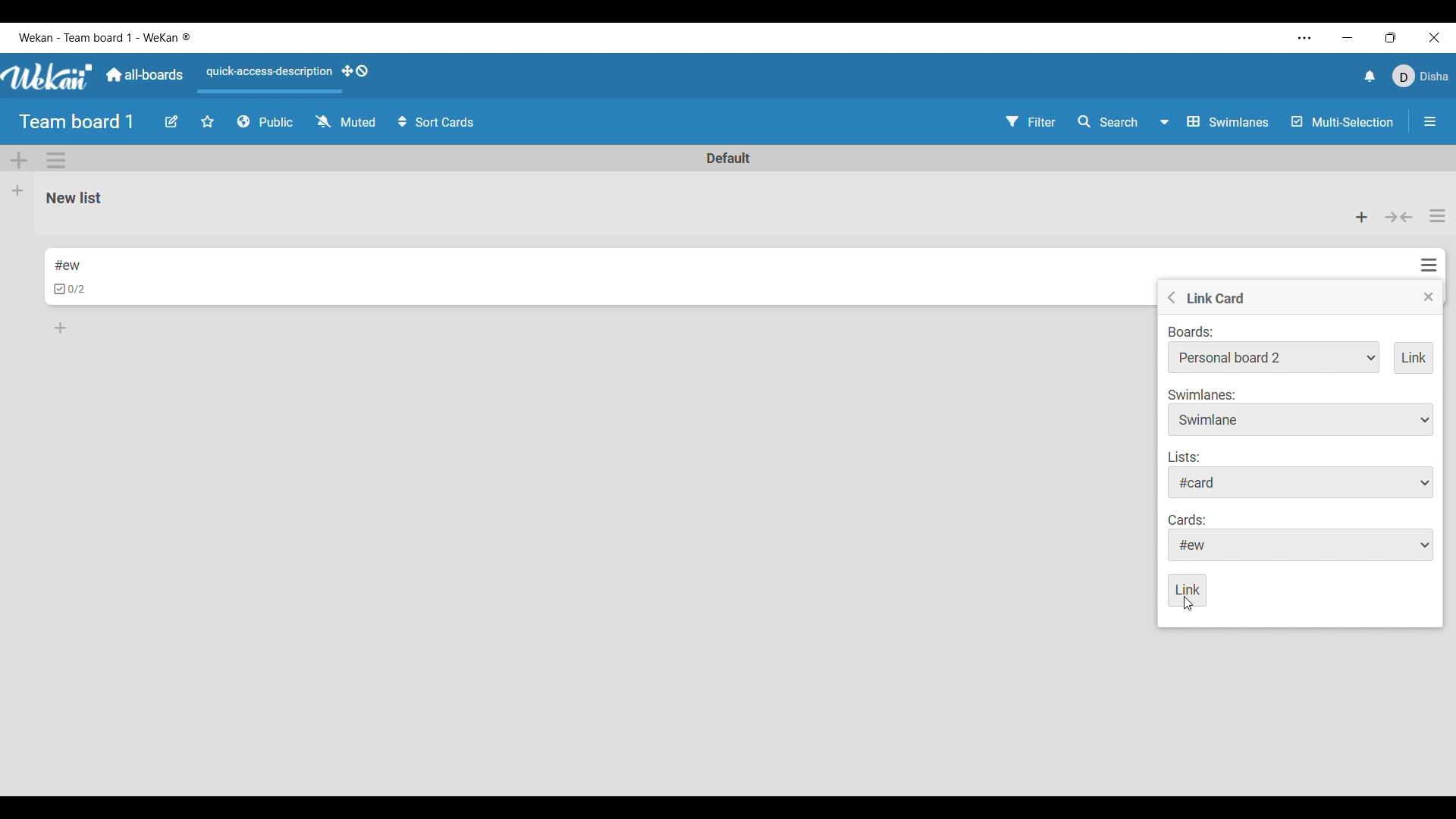  Describe the element at coordinates (1305, 39) in the screenshot. I see `More settings` at that location.